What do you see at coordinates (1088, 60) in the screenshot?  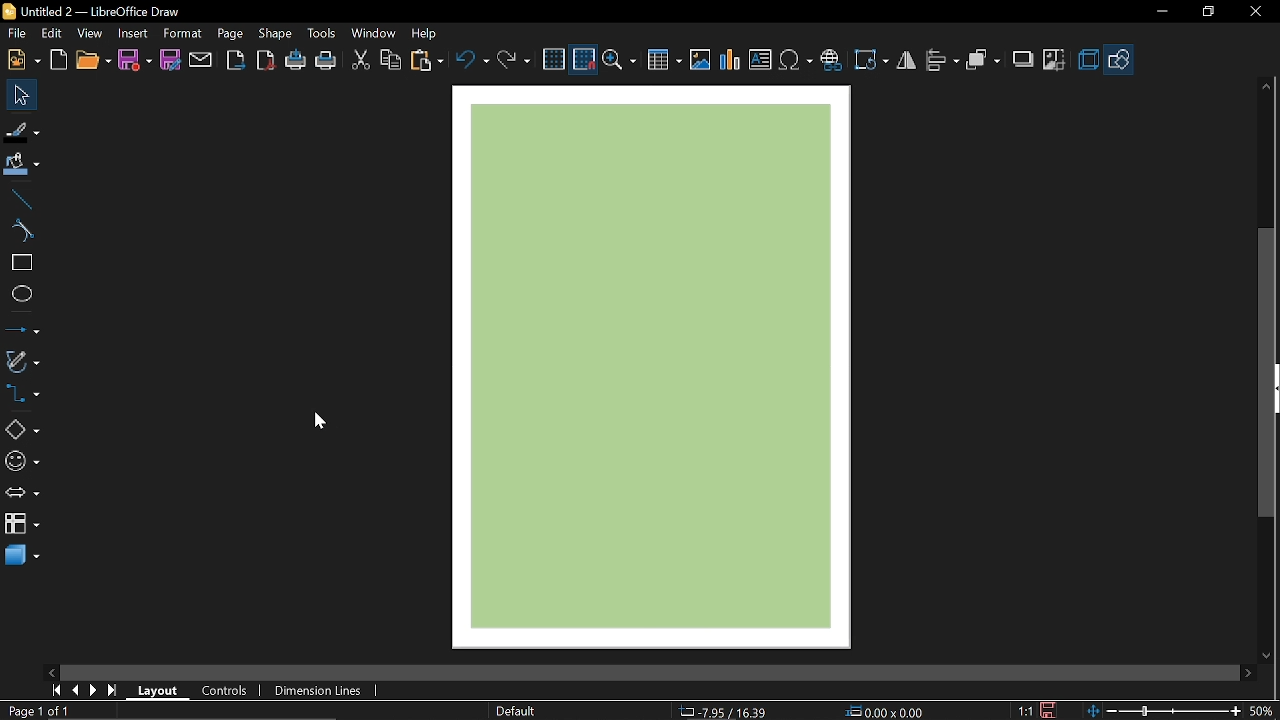 I see `3d effects` at bounding box center [1088, 60].